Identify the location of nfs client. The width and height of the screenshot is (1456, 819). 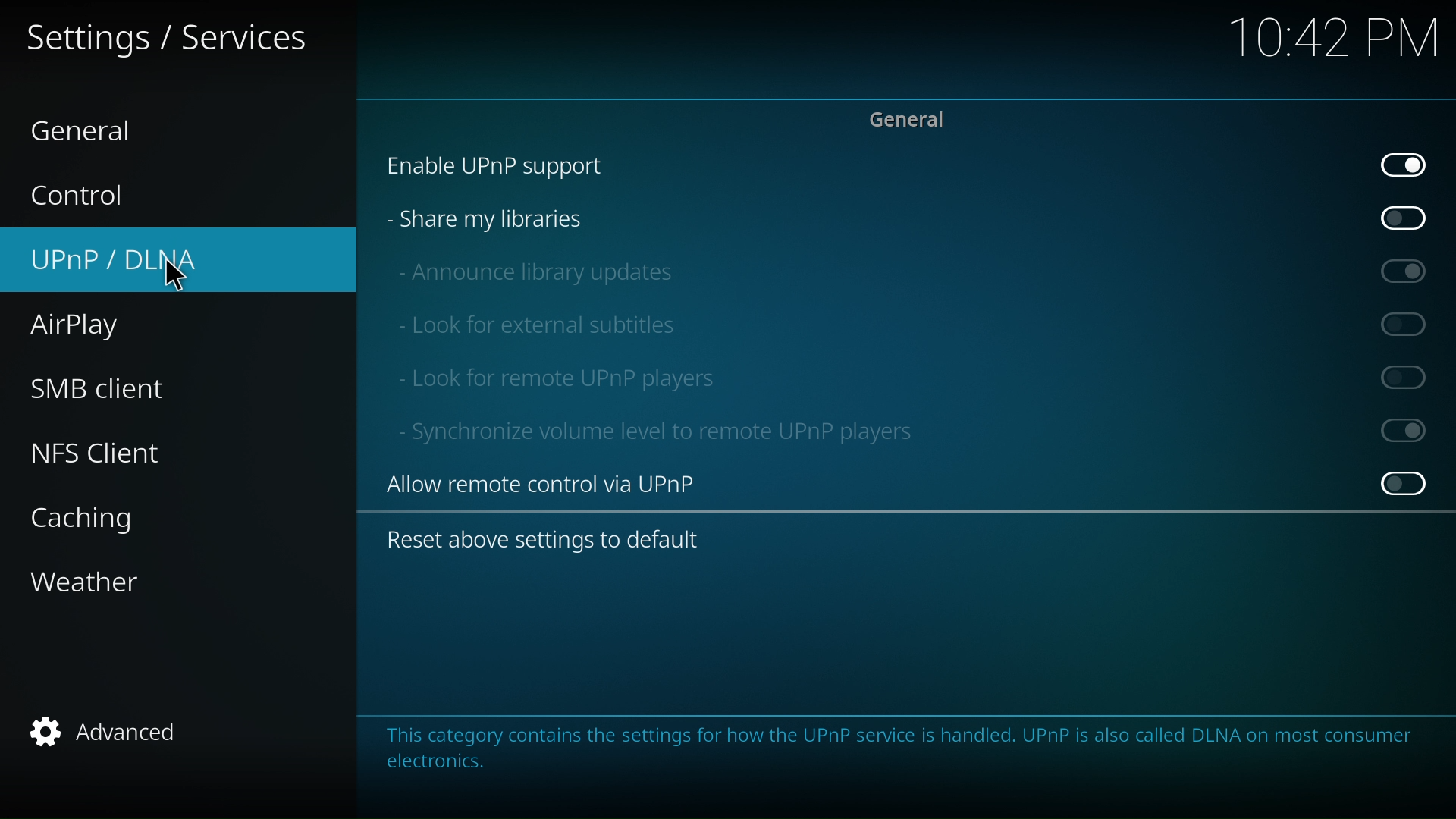
(109, 456).